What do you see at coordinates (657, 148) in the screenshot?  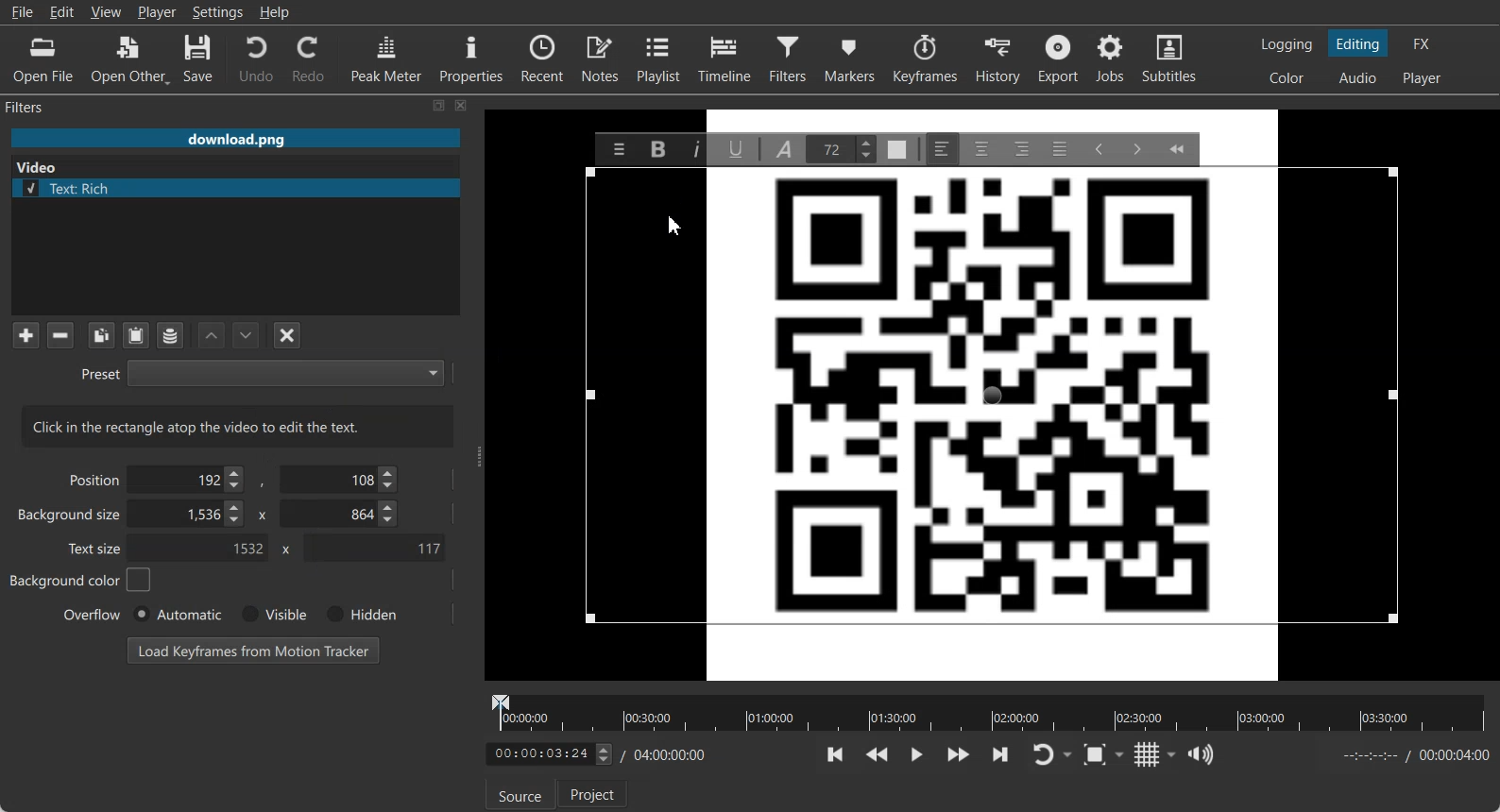 I see `Bold` at bounding box center [657, 148].